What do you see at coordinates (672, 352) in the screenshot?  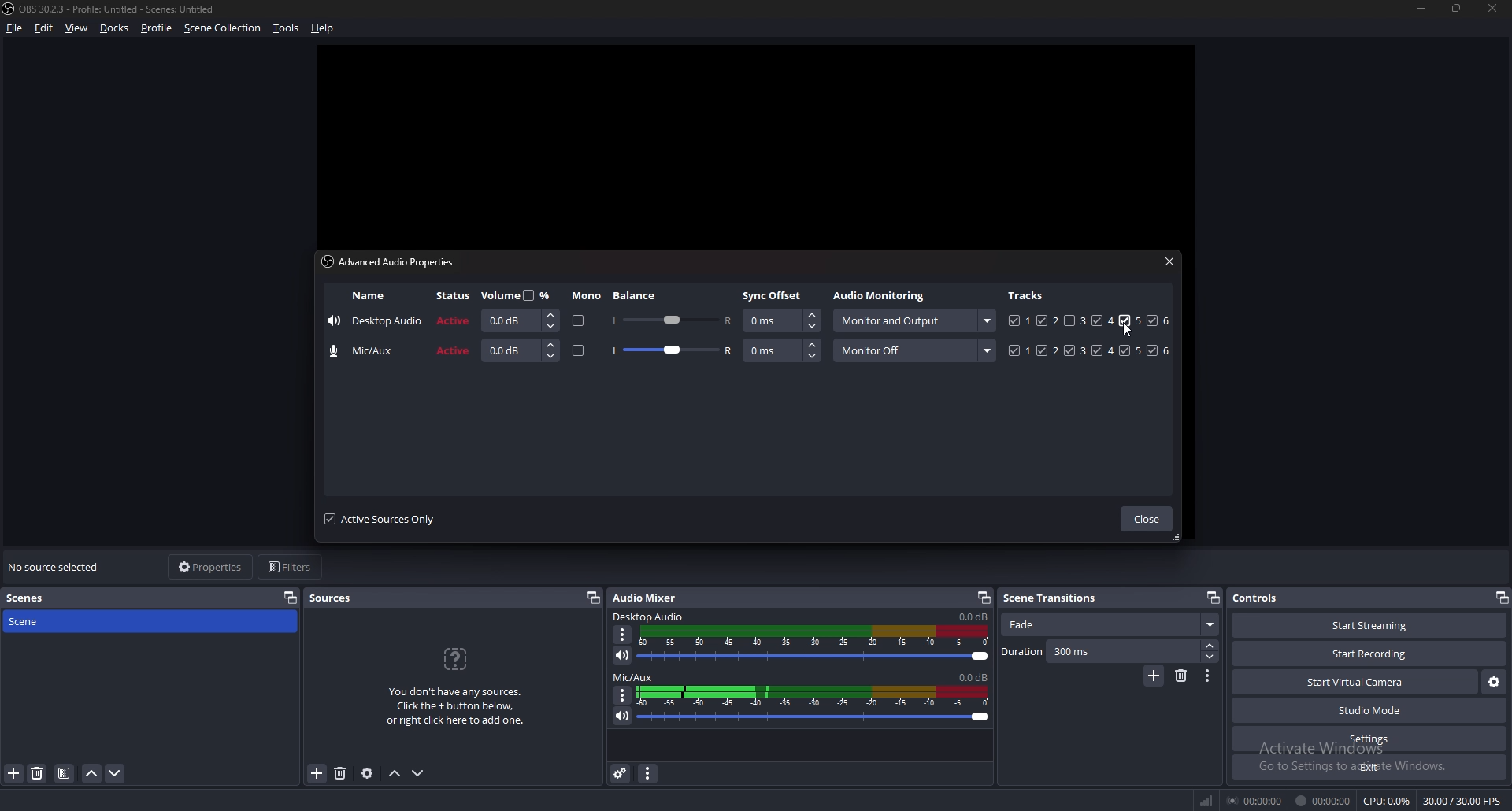 I see `balance adjust` at bounding box center [672, 352].